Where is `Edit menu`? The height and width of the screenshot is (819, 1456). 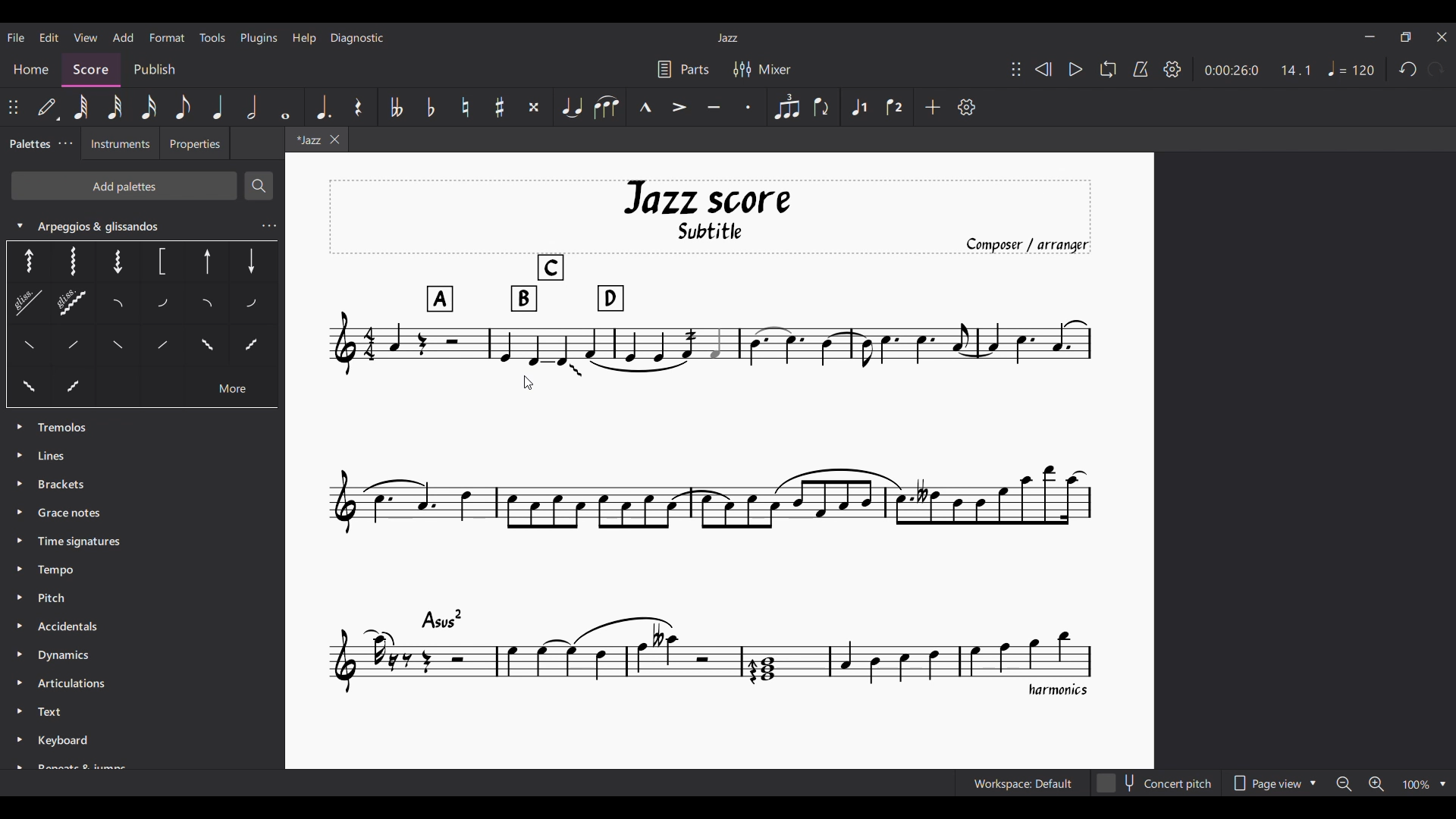 Edit menu is located at coordinates (49, 38).